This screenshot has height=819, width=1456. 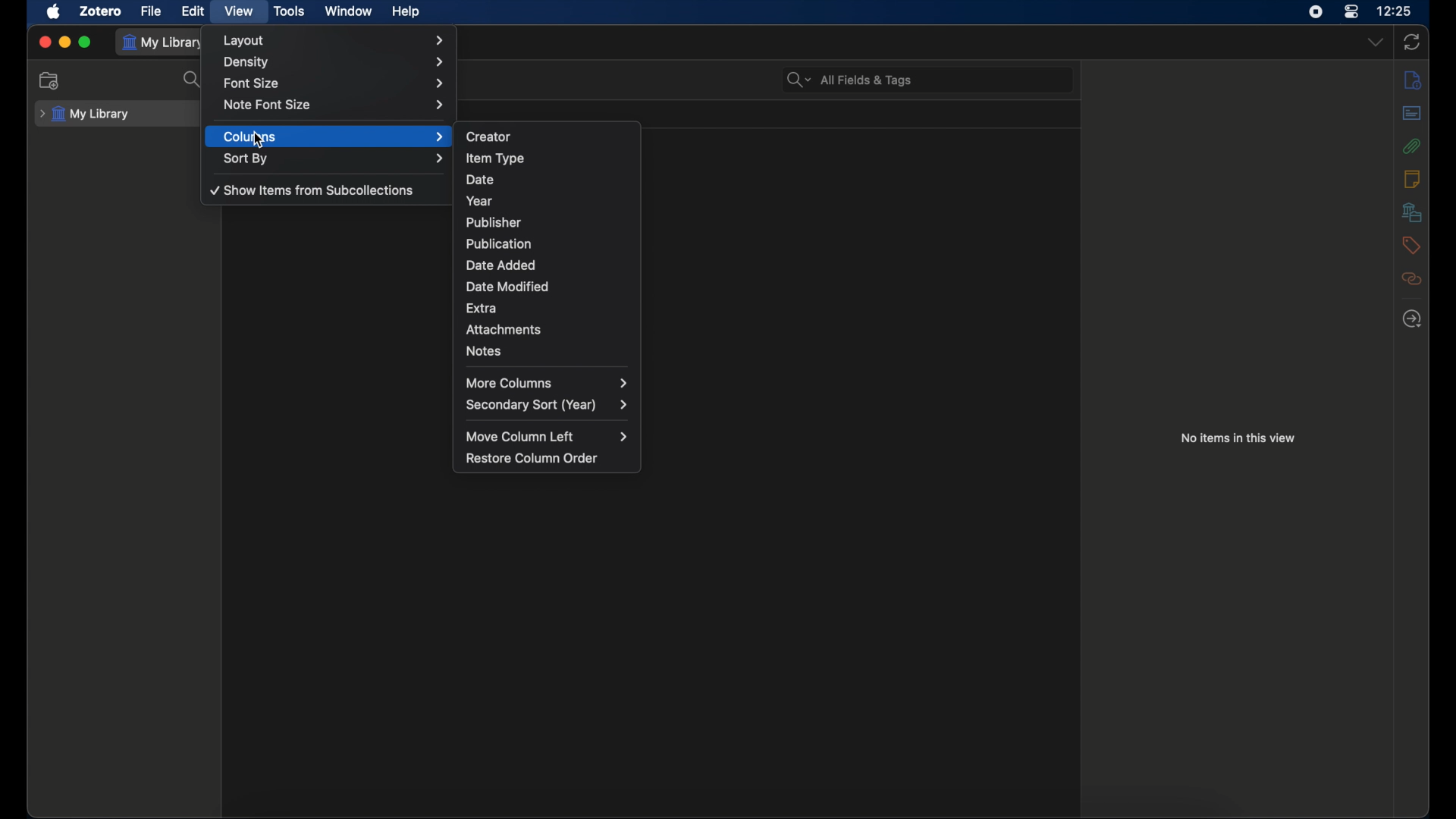 What do you see at coordinates (1412, 319) in the screenshot?
I see `locate` at bounding box center [1412, 319].